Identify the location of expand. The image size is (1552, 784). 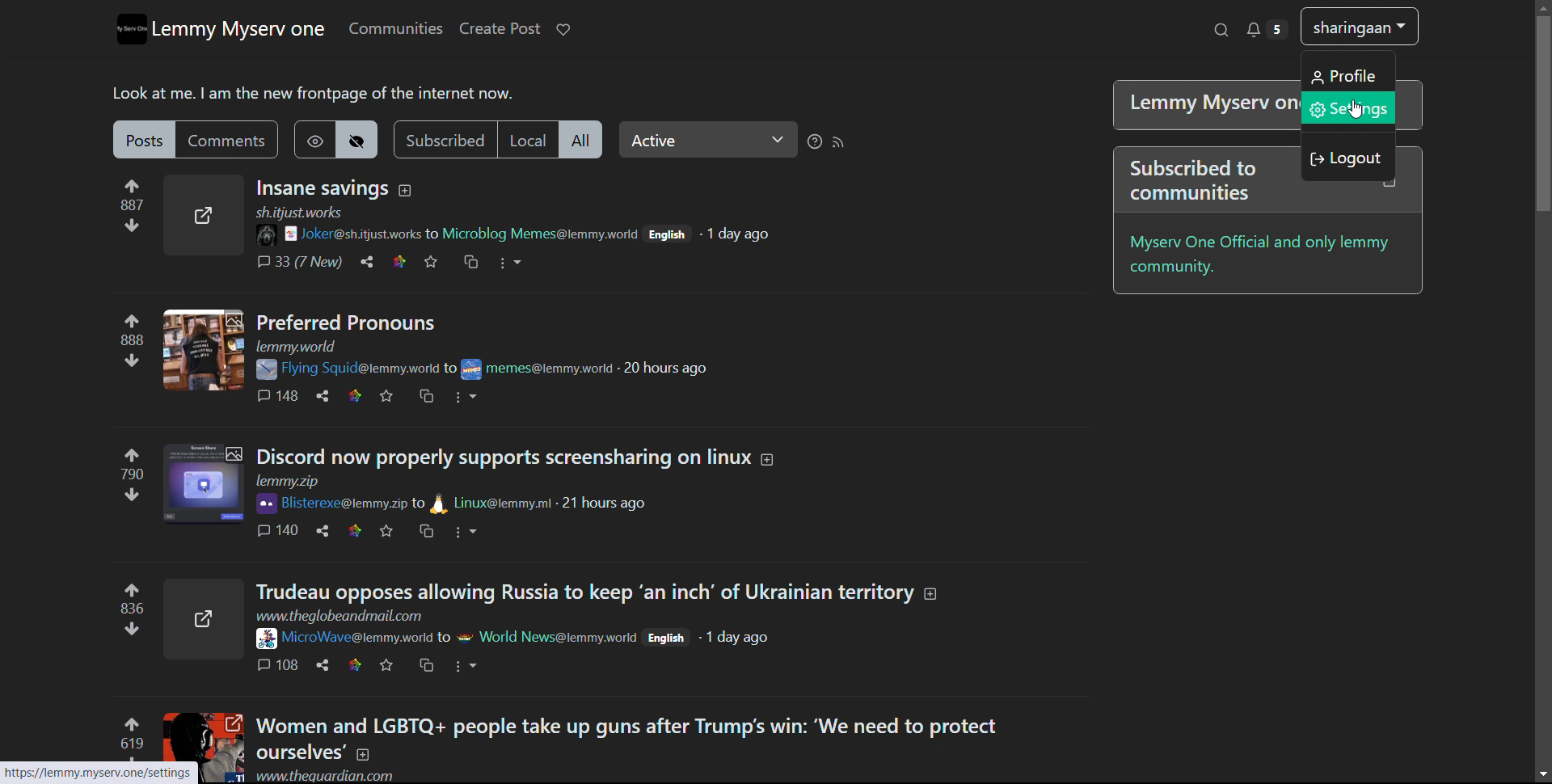
(363, 754).